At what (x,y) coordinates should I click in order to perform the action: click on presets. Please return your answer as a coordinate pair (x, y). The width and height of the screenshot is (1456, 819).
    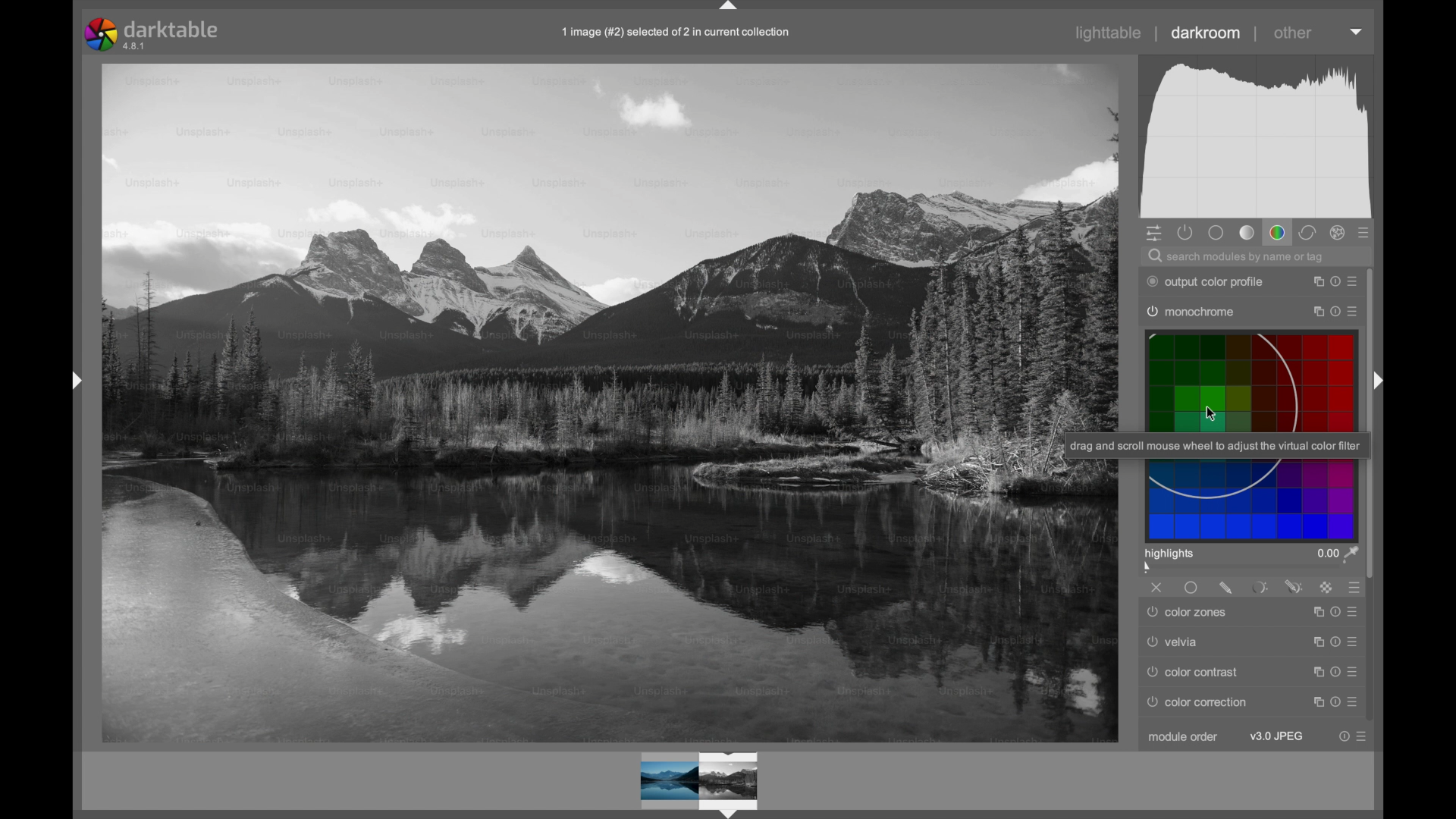
    Looking at the image, I should click on (1365, 233).